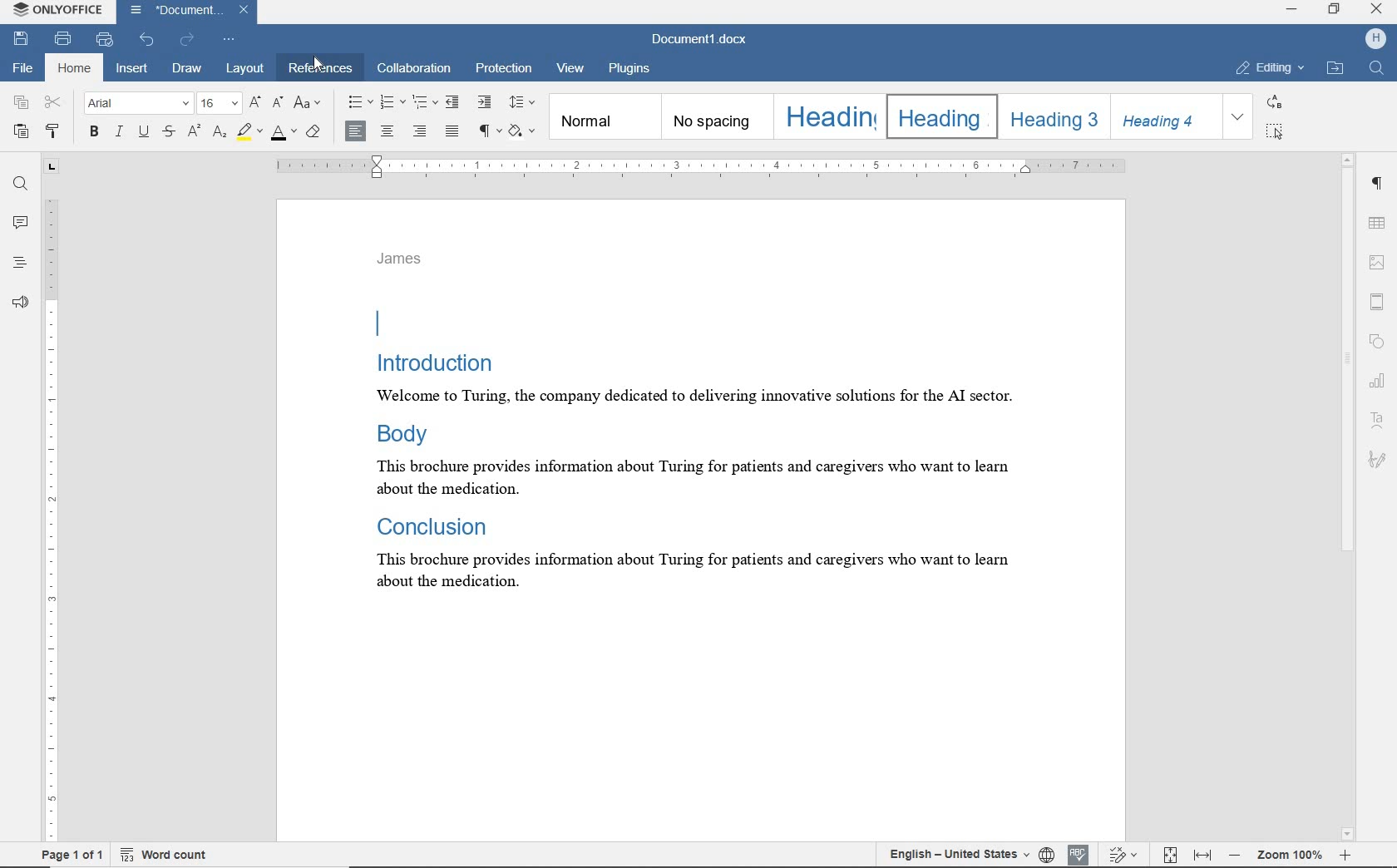 This screenshot has width=1397, height=868. What do you see at coordinates (525, 133) in the screenshot?
I see `shading` at bounding box center [525, 133].